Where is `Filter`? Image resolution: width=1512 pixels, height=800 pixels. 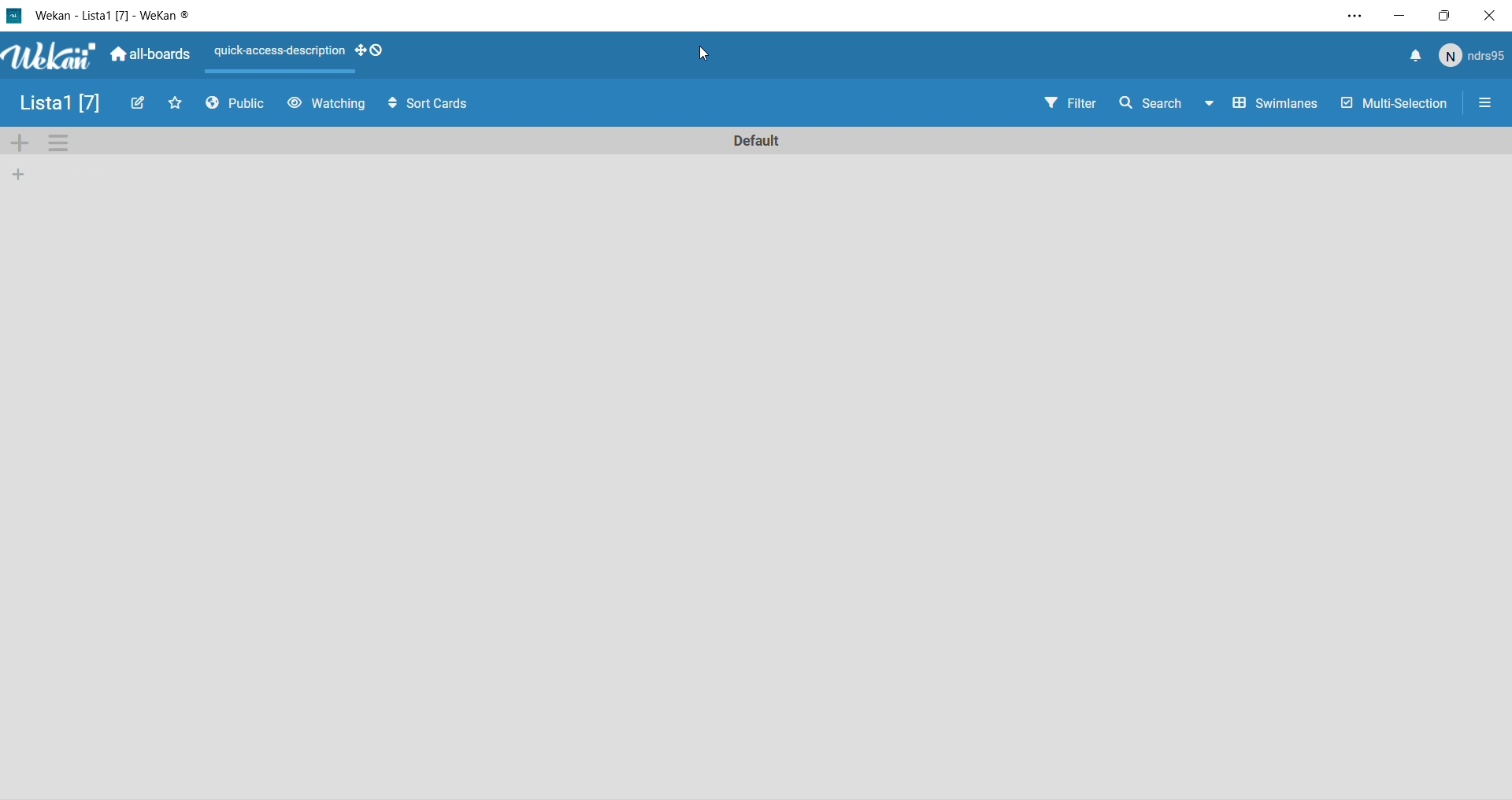 Filter is located at coordinates (1069, 103).